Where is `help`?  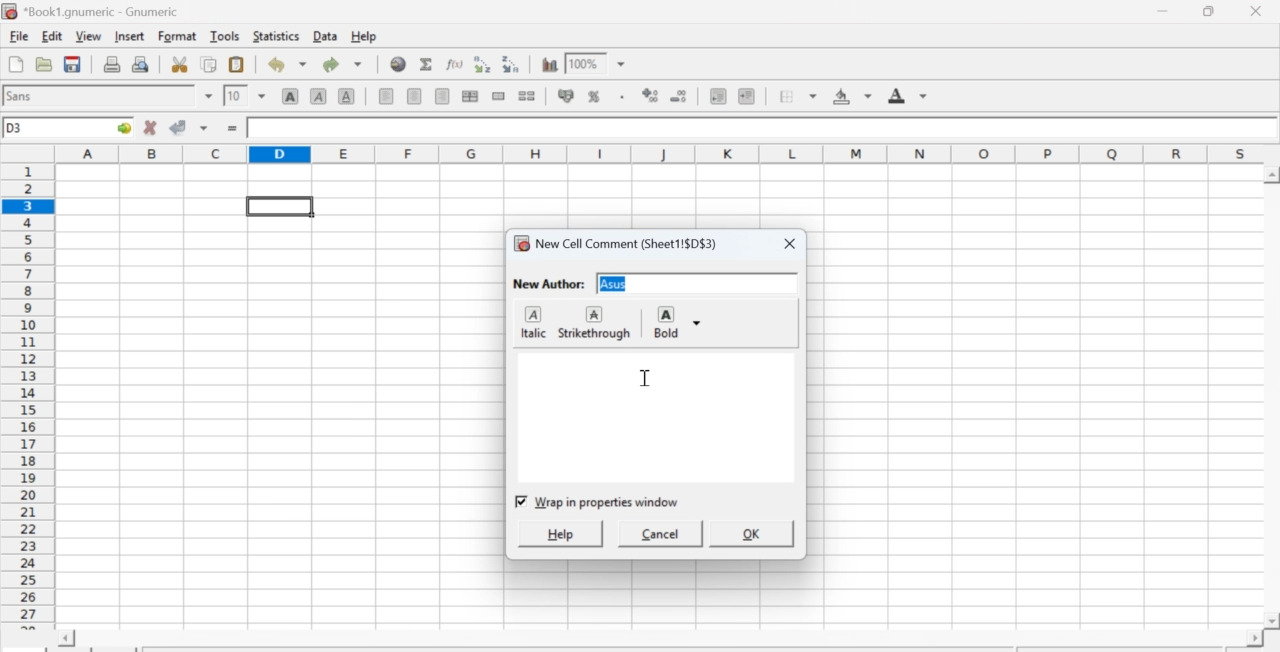 help is located at coordinates (561, 534).